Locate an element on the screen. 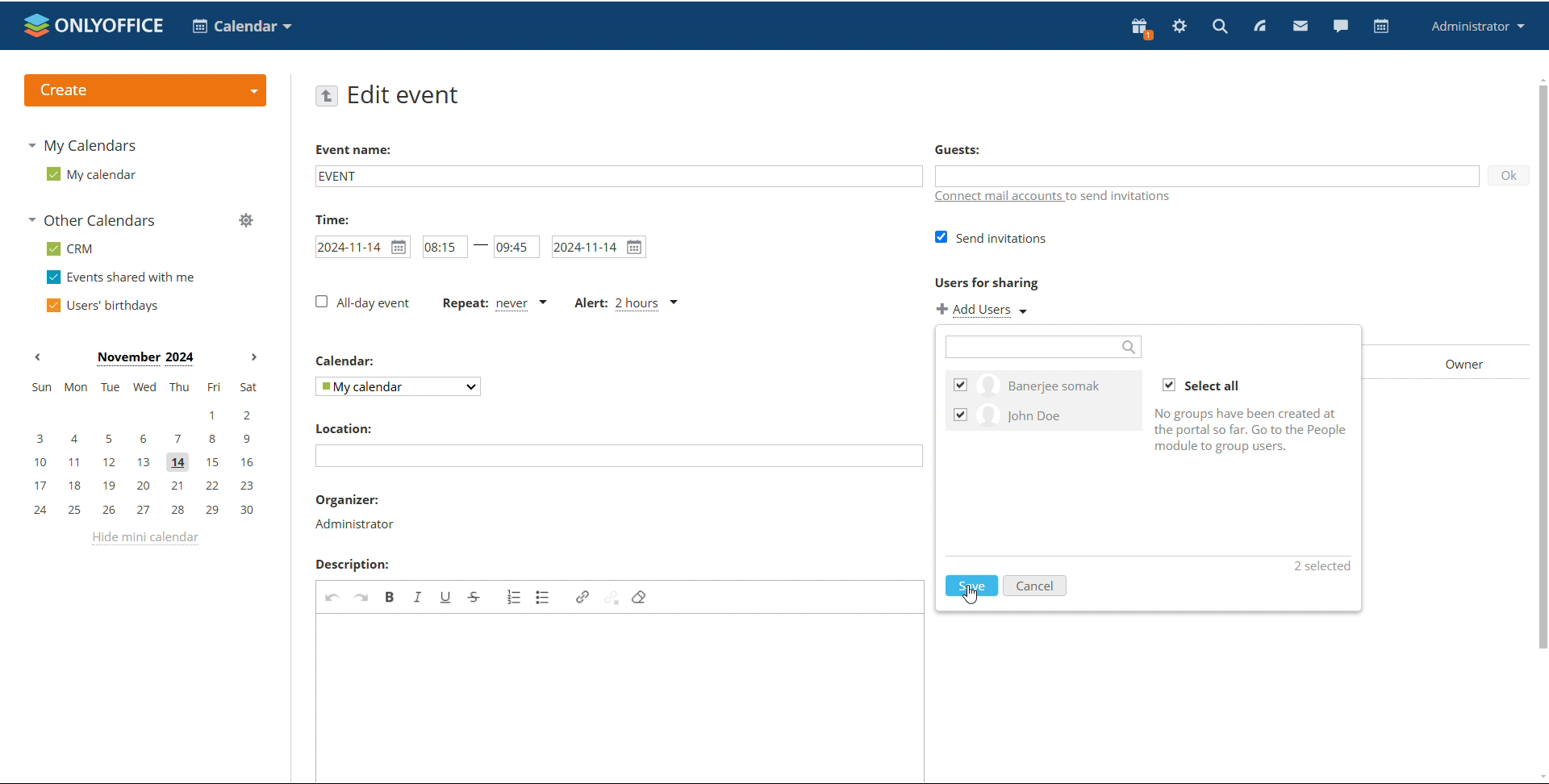  3, 4, 5, 6, 7, 8, 9 is located at coordinates (142, 440).